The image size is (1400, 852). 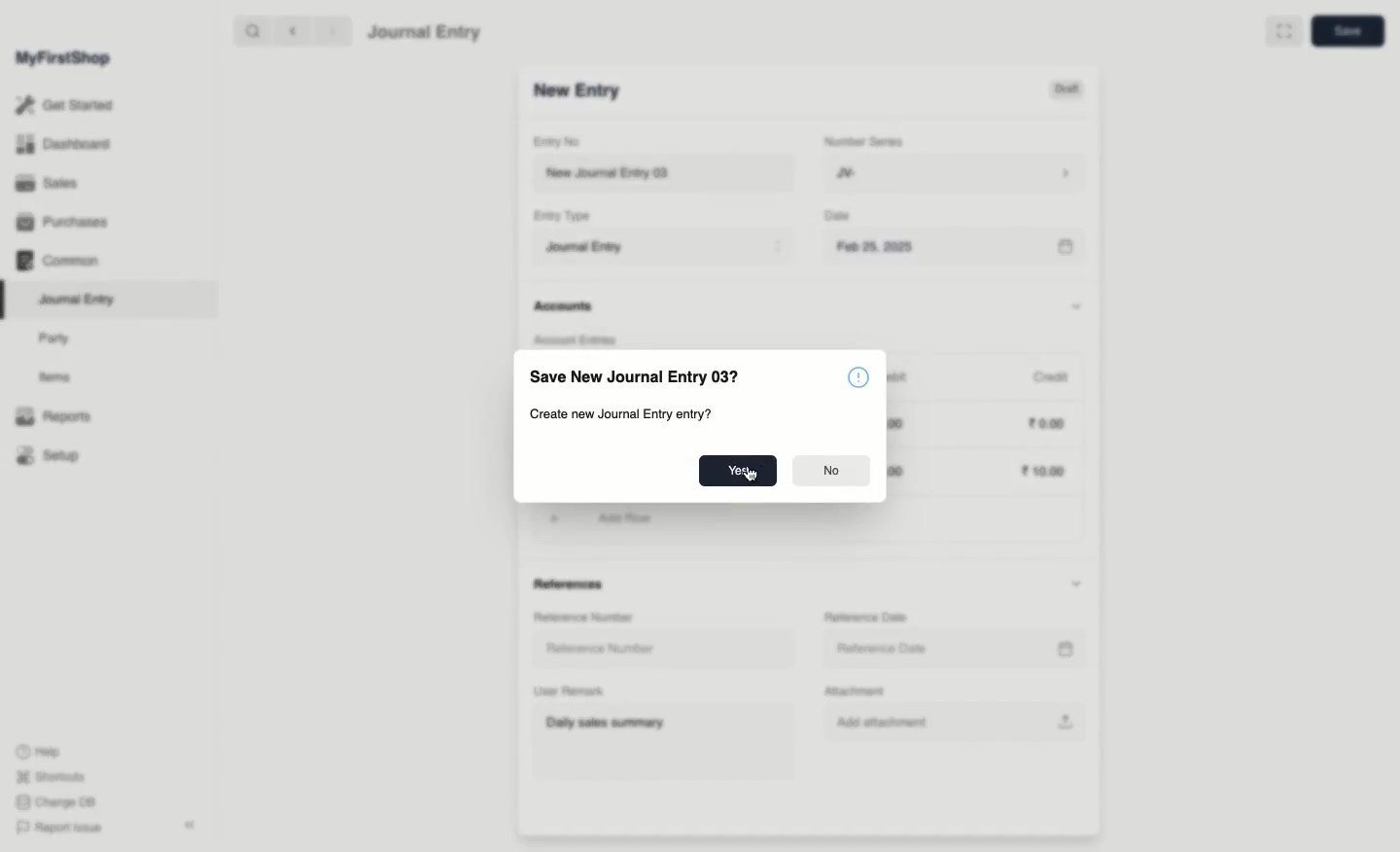 What do you see at coordinates (82, 299) in the screenshot?
I see `Journal Entry` at bounding box center [82, 299].